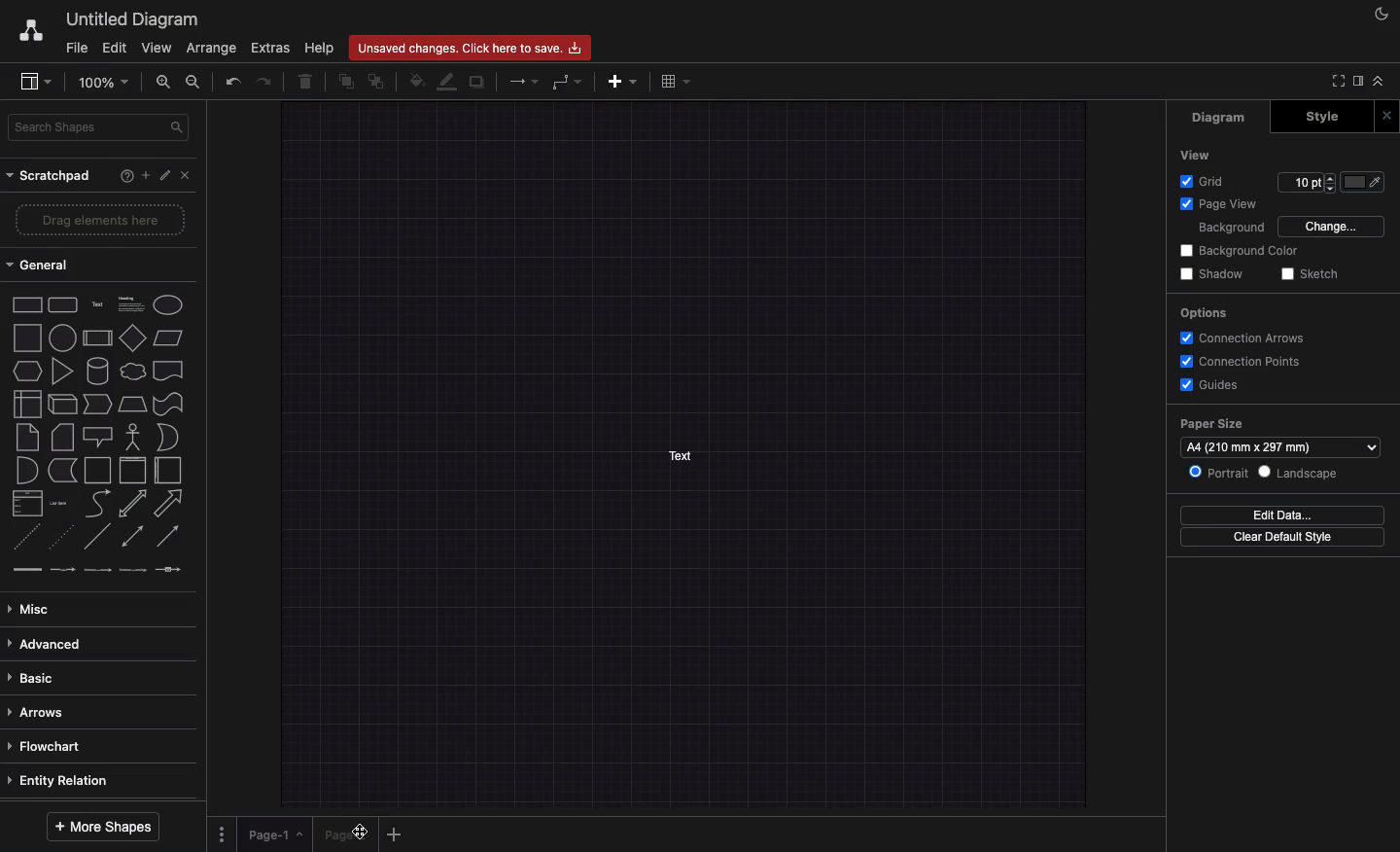  What do you see at coordinates (1386, 115) in the screenshot?
I see `Close` at bounding box center [1386, 115].